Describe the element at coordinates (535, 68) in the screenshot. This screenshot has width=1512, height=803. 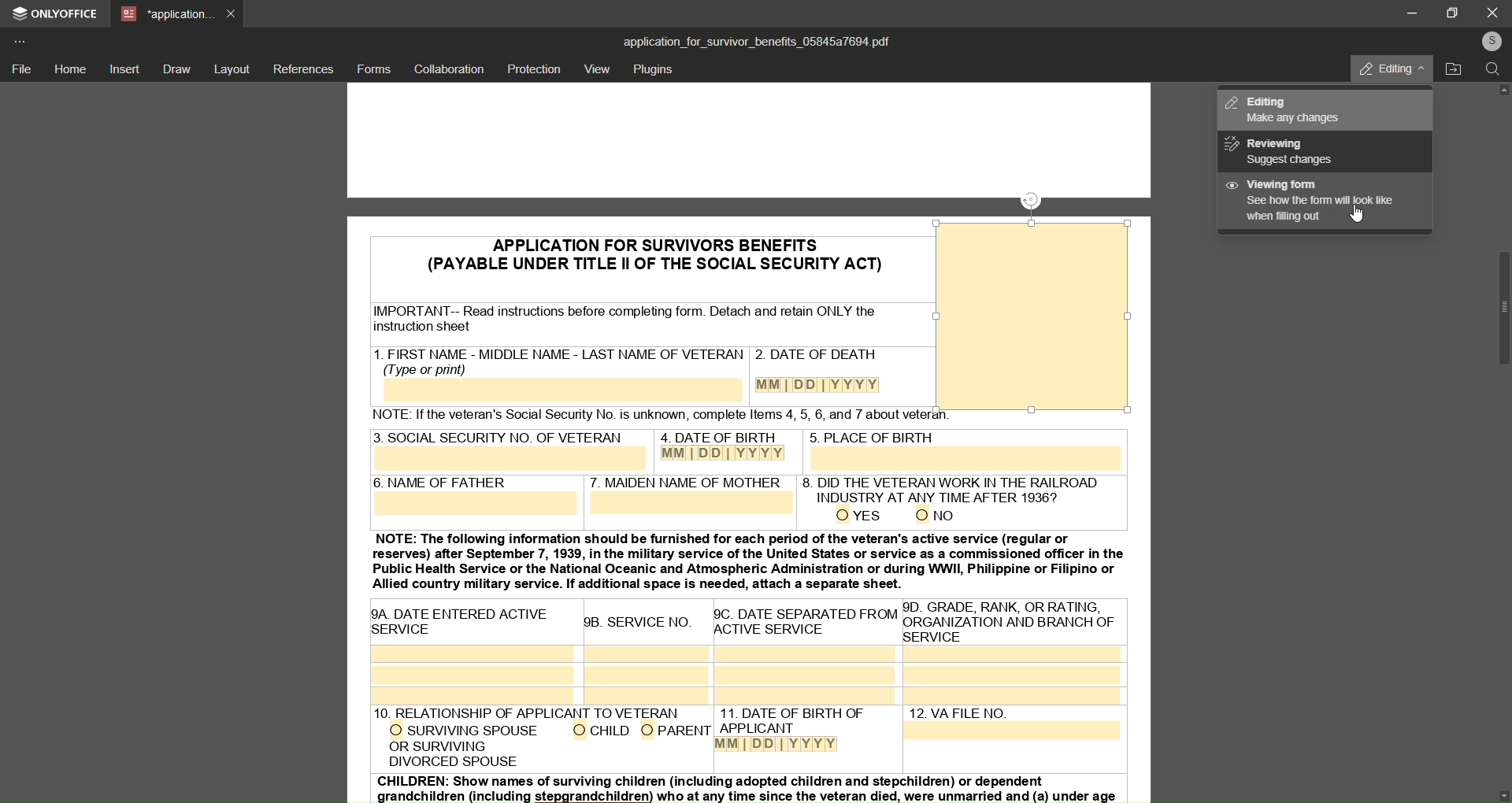
I see `protection` at that location.